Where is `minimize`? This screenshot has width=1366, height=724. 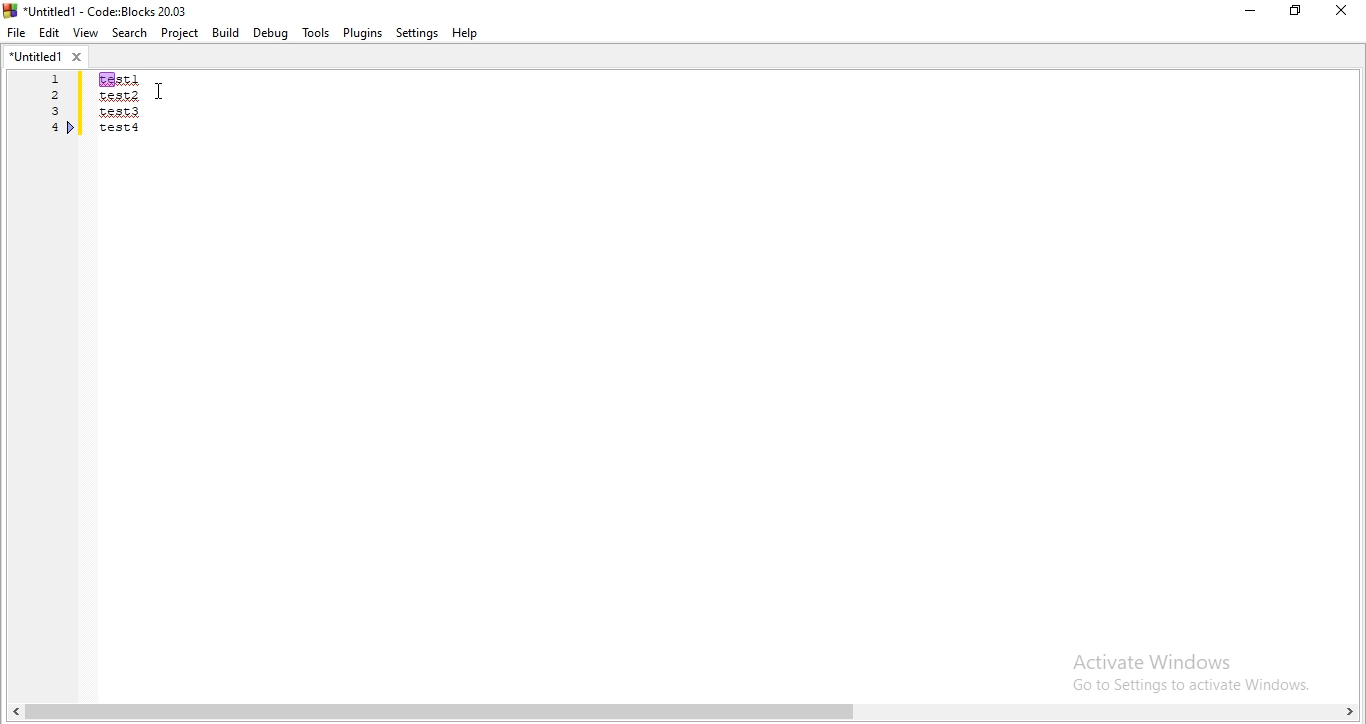
minimize is located at coordinates (1248, 12).